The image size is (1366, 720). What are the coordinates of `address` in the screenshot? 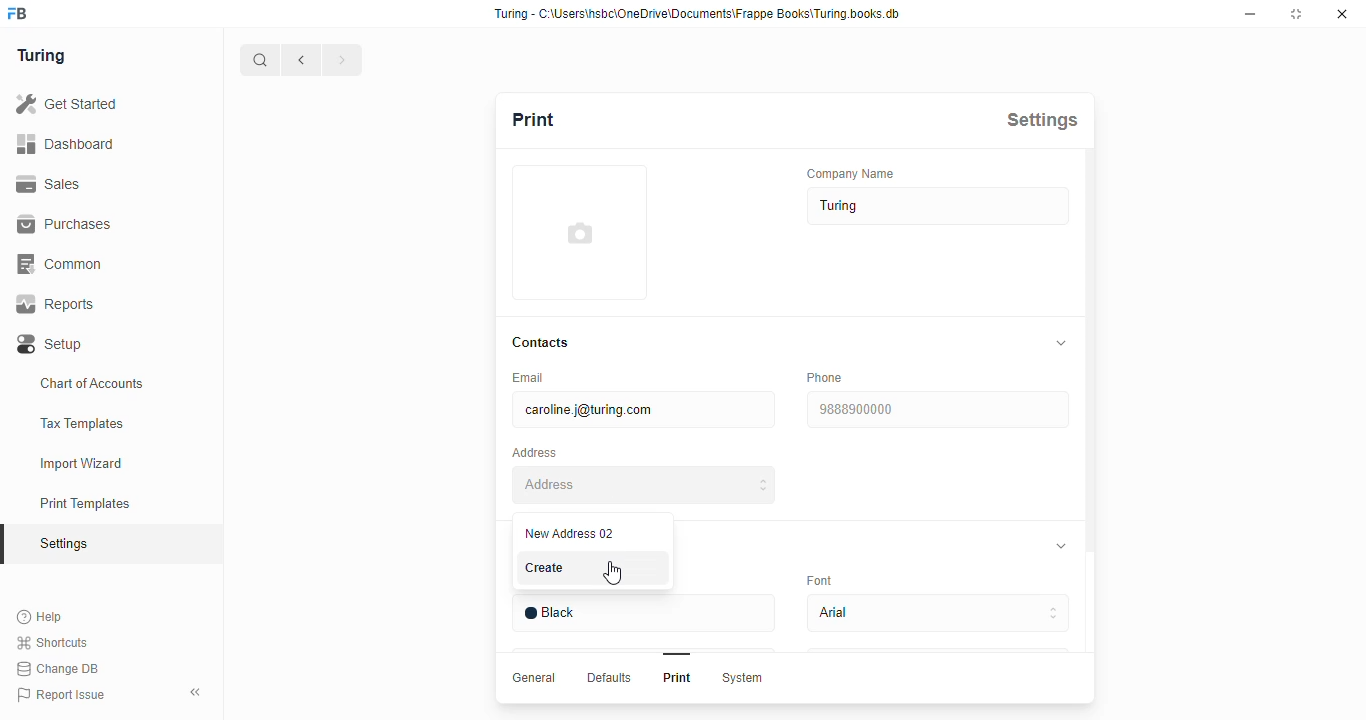 It's located at (643, 485).